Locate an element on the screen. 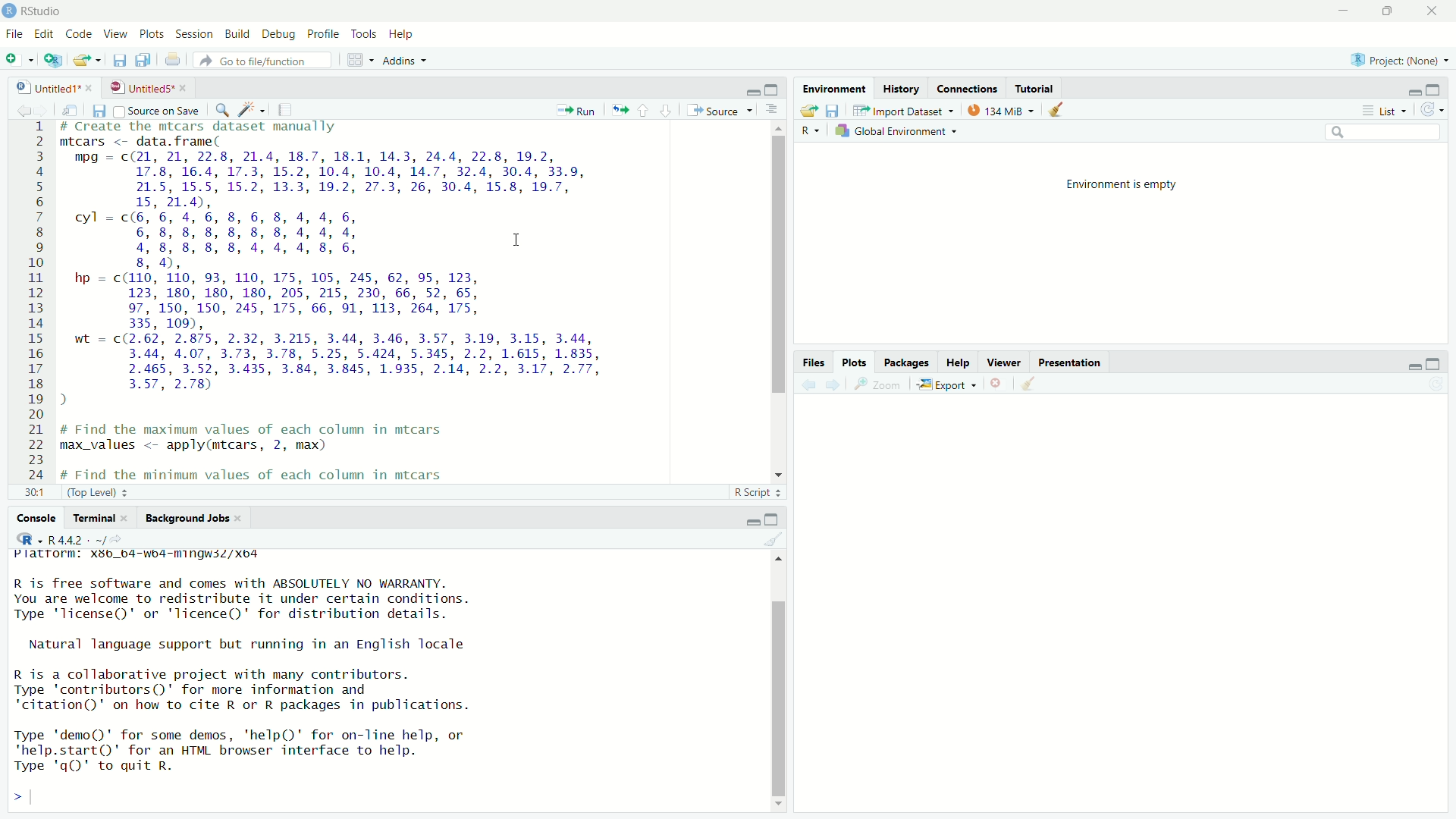 This screenshot has width=1456, height=819. platrorm: x¥b_b4-wo4-mingw3Z/xo4

R is free software and comes with ABSOLUTELY NO WARRANTY.

You are welcome to redistribute it under certain conditions.

Type 'license()' or 'licence()' for distribution details.
Natural language support but running in an English locale

R is a collaborative project with many contributors.

Type 'contributors()' for more information and

'citation()' on how to cite R or R packages in publications.

Type 'demo()' for some demos, 'help()' for on-Tine help, or

'help.start()"' for an HTML browser interface to help.

Type 'qQ' to quit R.

> is located at coordinates (287, 678).